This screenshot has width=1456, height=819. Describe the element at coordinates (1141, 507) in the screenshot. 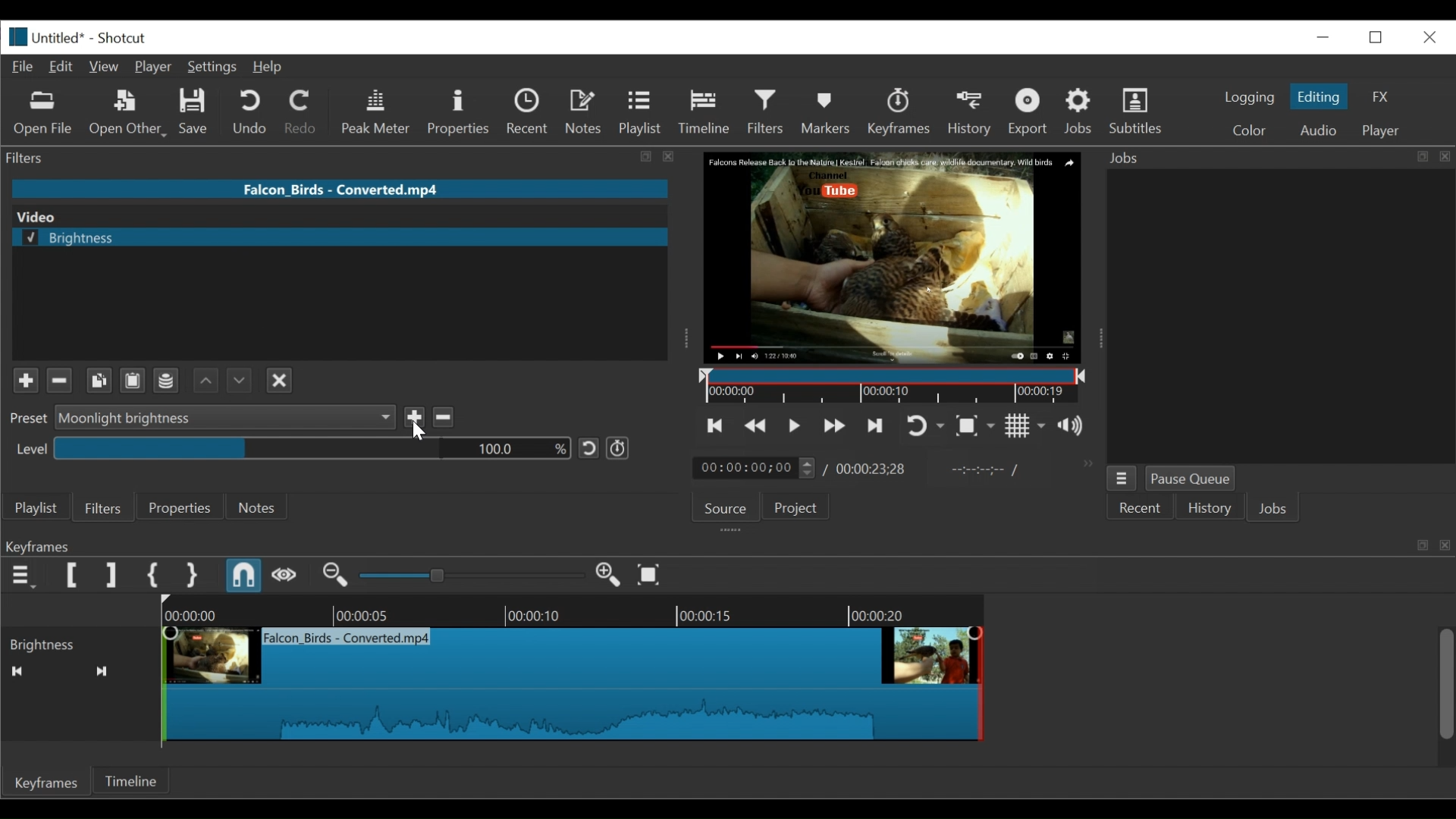

I see `Recent` at that location.